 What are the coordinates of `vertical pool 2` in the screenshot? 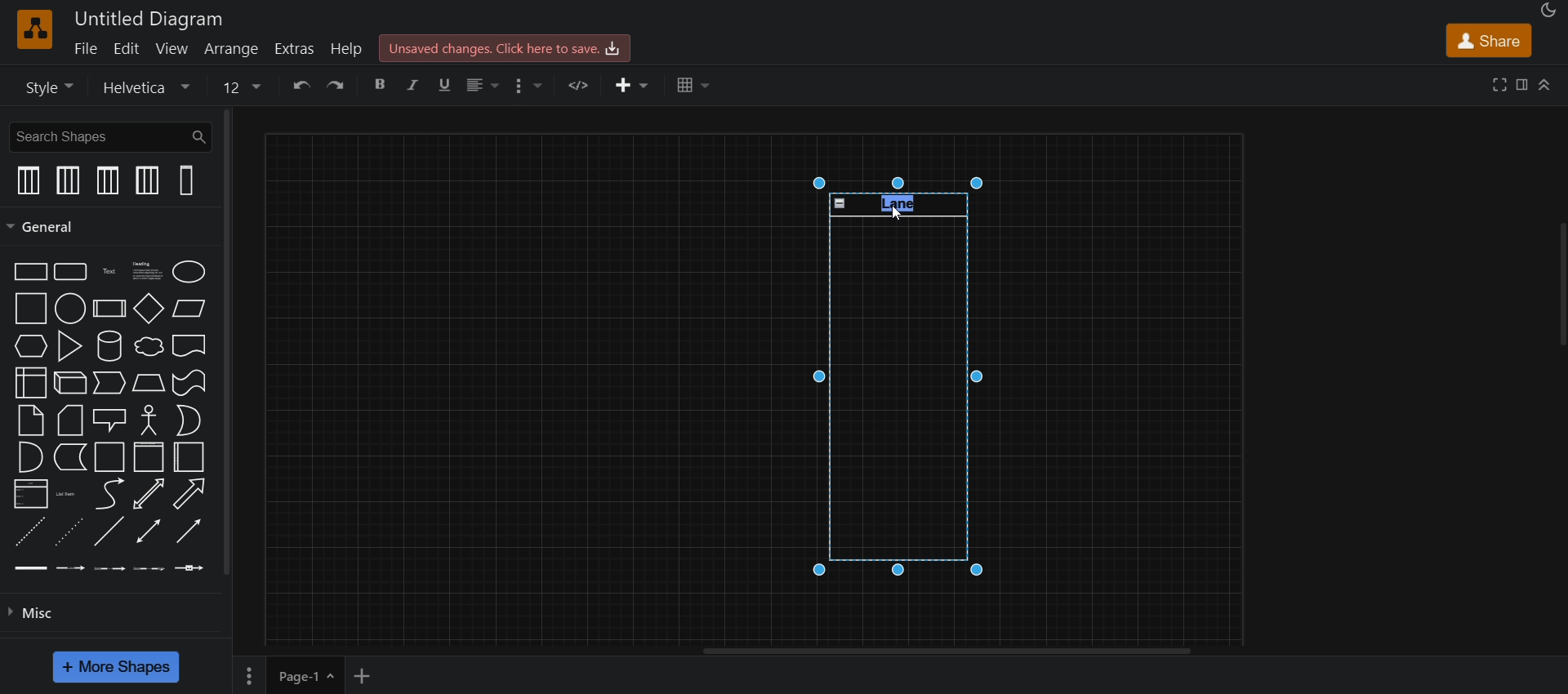 It's located at (145, 181).